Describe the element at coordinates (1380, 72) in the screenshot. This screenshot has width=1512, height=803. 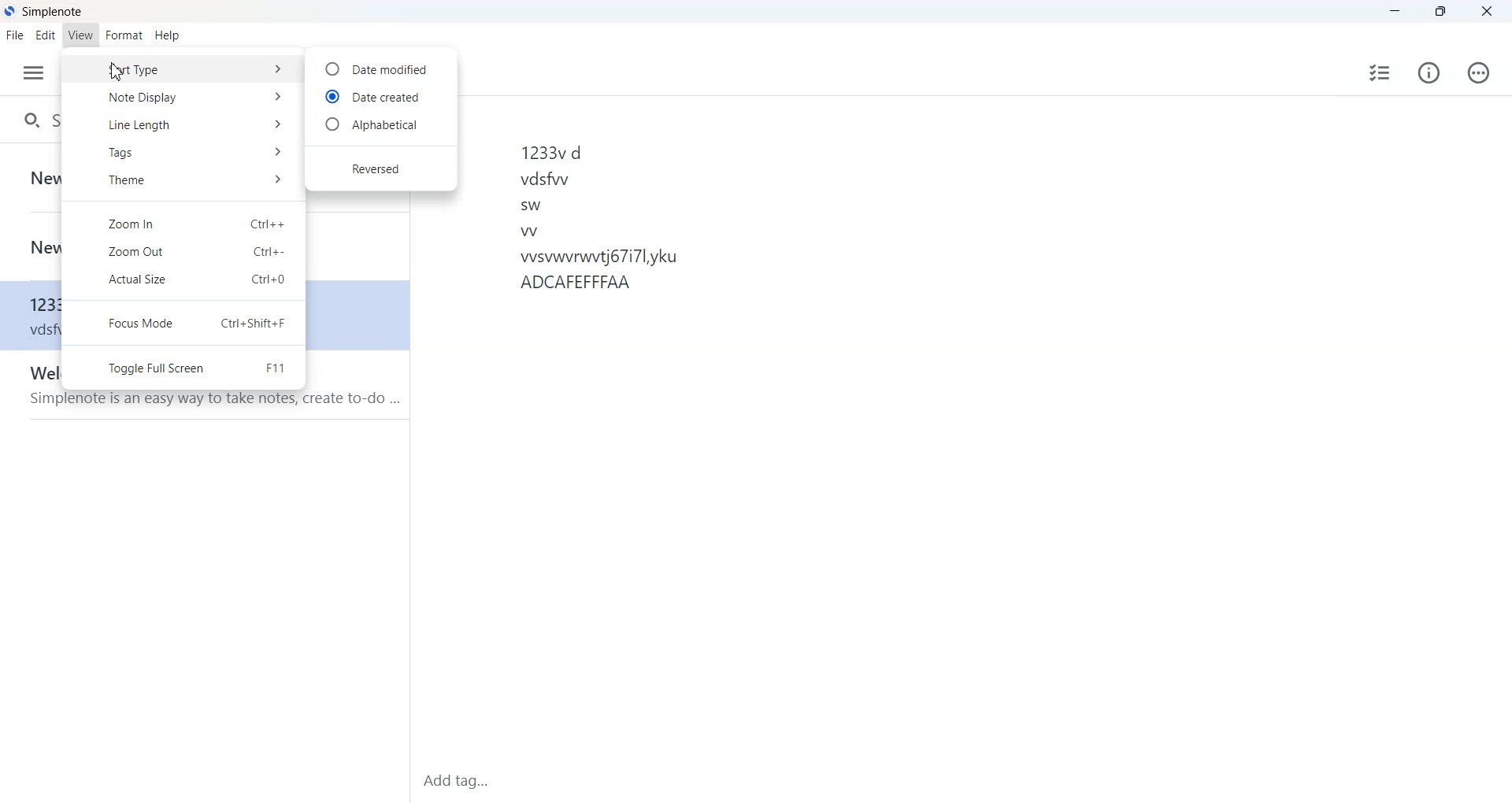
I see `Insert checklist` at that location.